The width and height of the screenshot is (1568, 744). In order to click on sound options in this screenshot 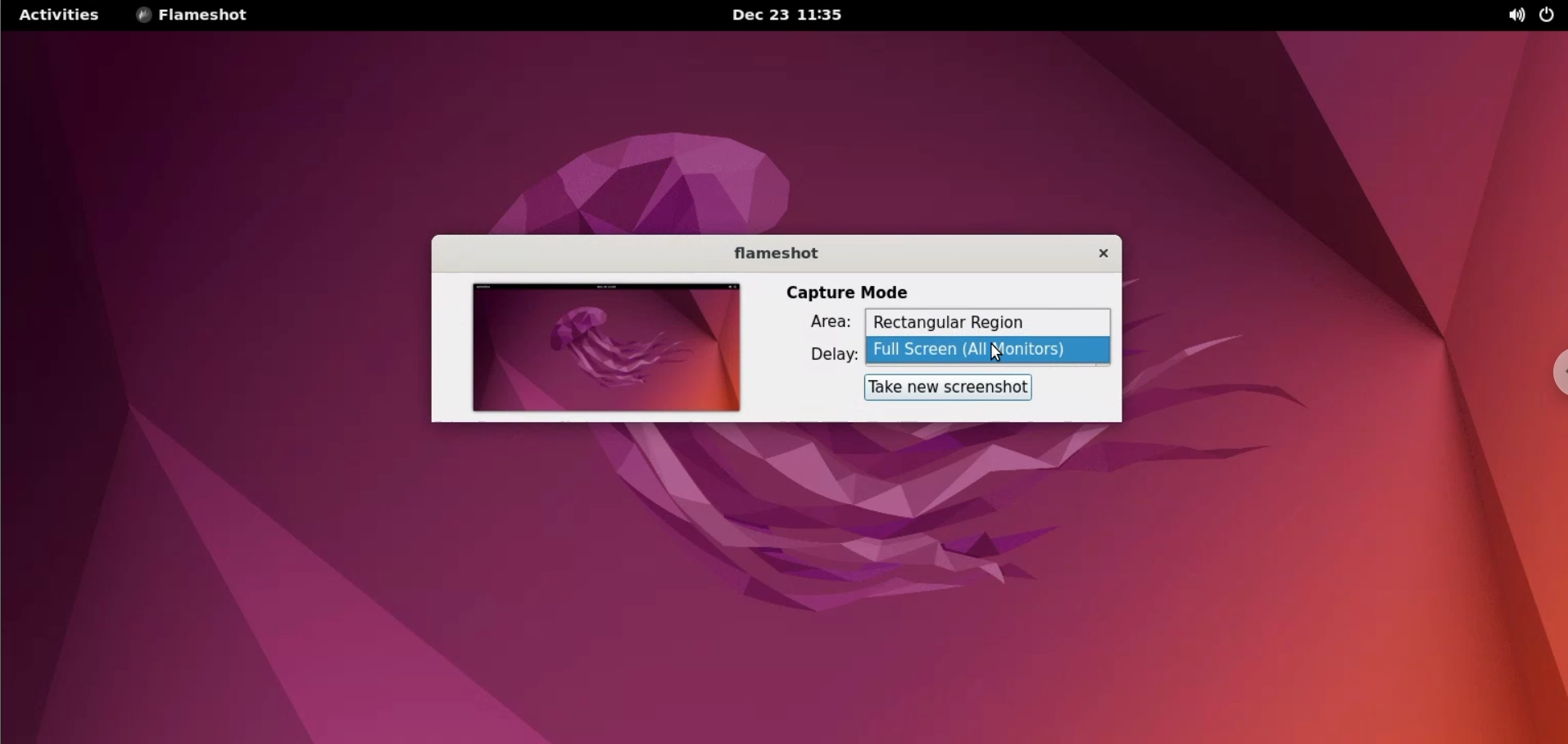, I will do `click(1515, 16)`.